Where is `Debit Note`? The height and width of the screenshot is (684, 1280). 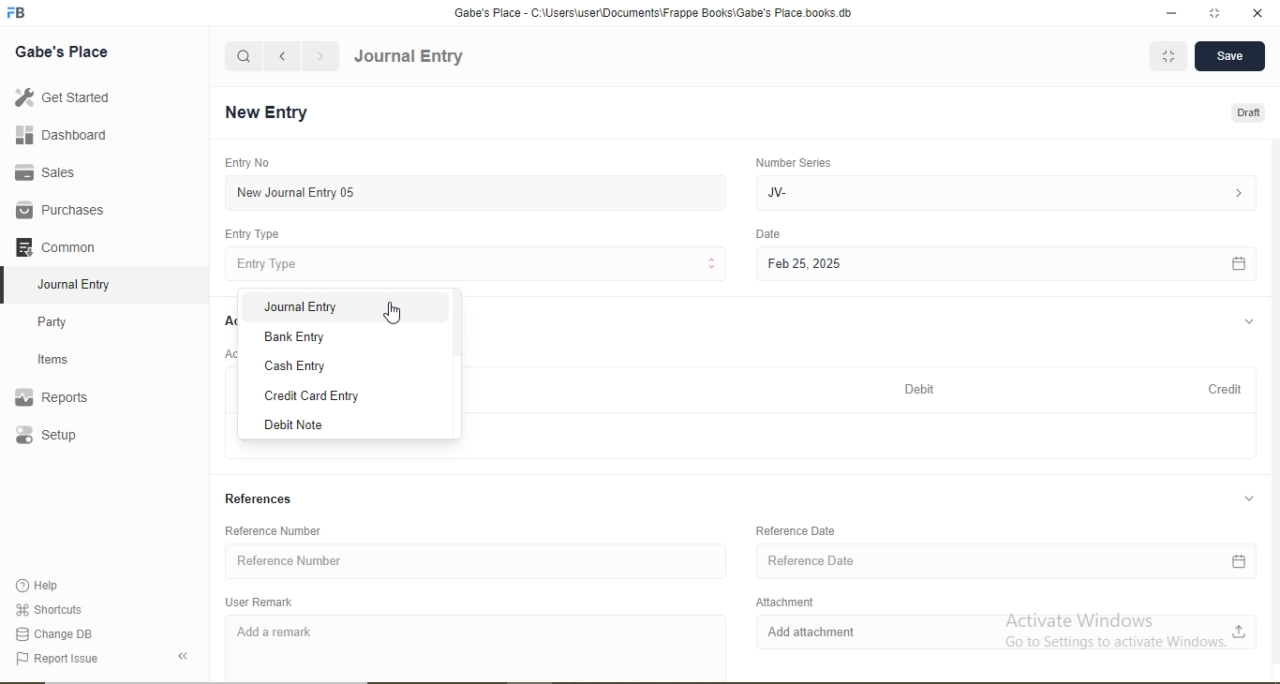
Debit Note is located at coordinates (338, 425).